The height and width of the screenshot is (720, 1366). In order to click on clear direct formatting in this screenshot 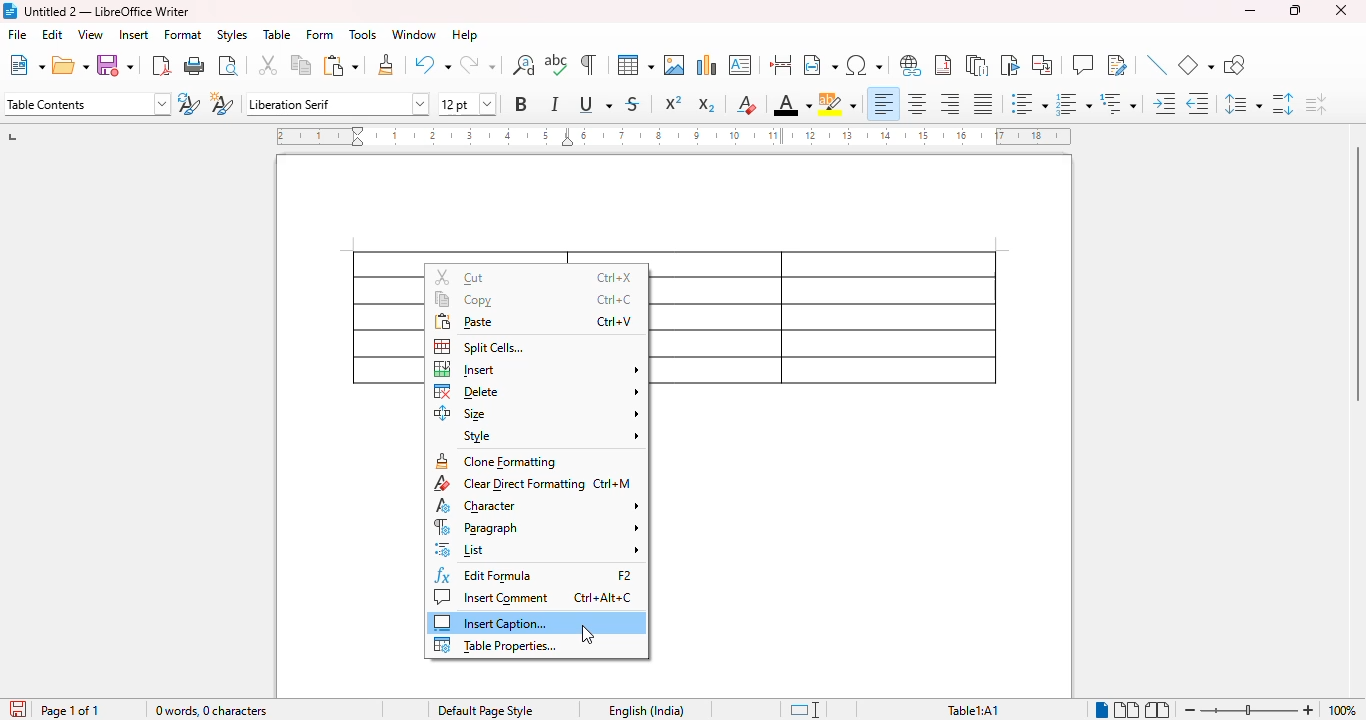, I will do `click(747, 104)`.